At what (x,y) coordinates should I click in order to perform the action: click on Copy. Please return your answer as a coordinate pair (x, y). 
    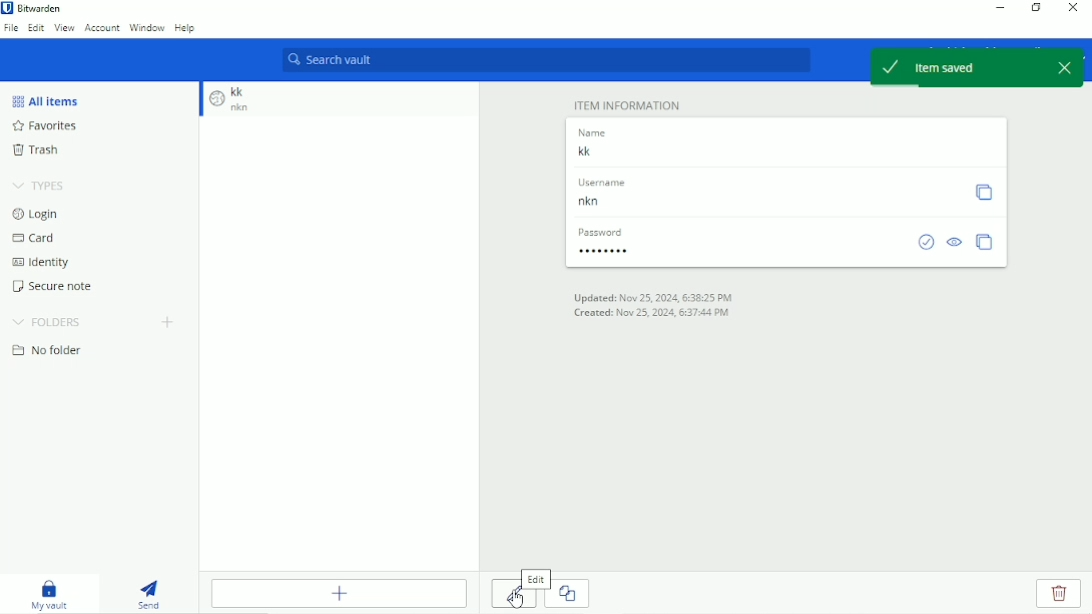
    Looking at the image, I should click on (984, 192).